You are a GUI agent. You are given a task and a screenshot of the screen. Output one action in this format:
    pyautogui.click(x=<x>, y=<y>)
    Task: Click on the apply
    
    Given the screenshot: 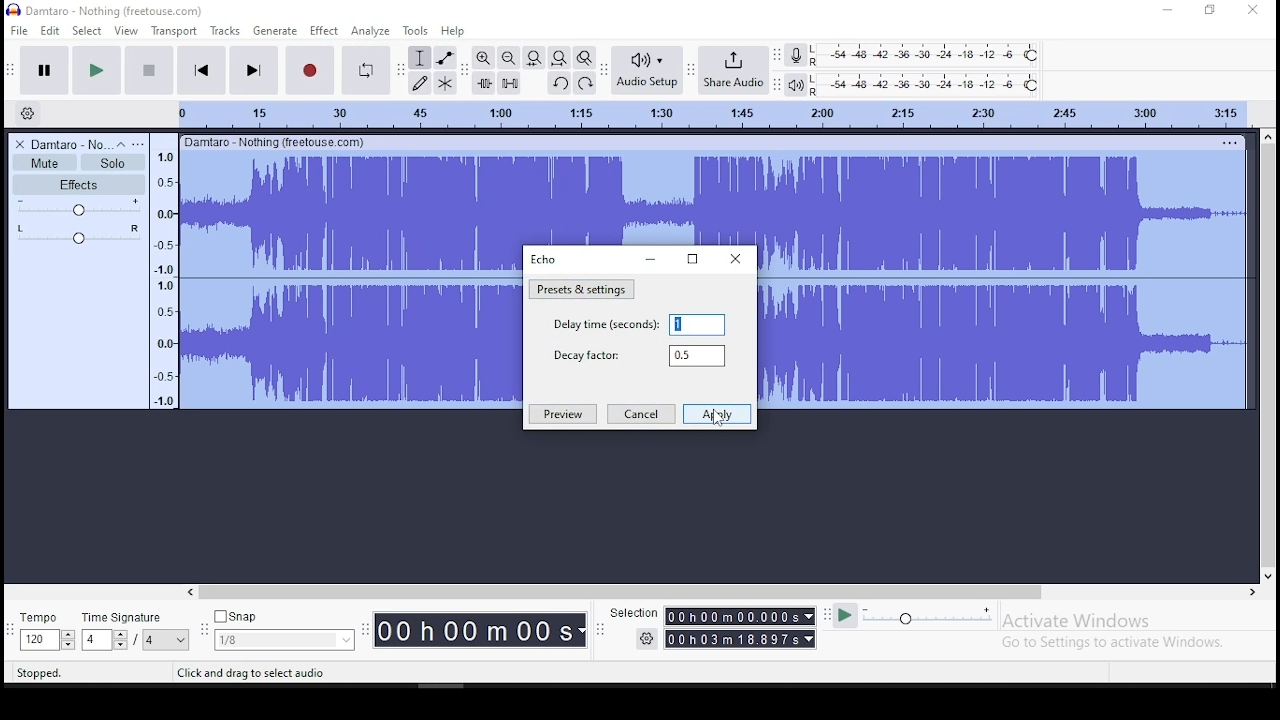 What is the action you would take?
    pyautogui.click(x=717, y=414)
    